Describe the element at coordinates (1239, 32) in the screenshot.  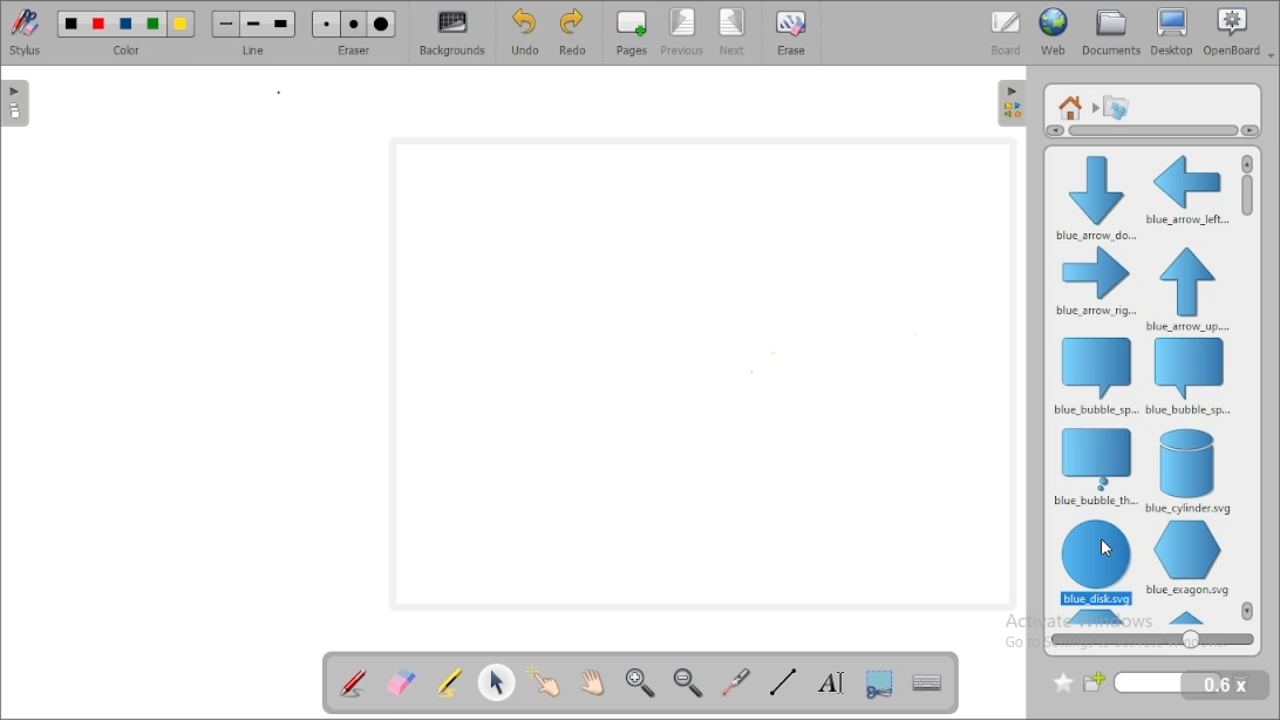
I see `openboard` at that location.